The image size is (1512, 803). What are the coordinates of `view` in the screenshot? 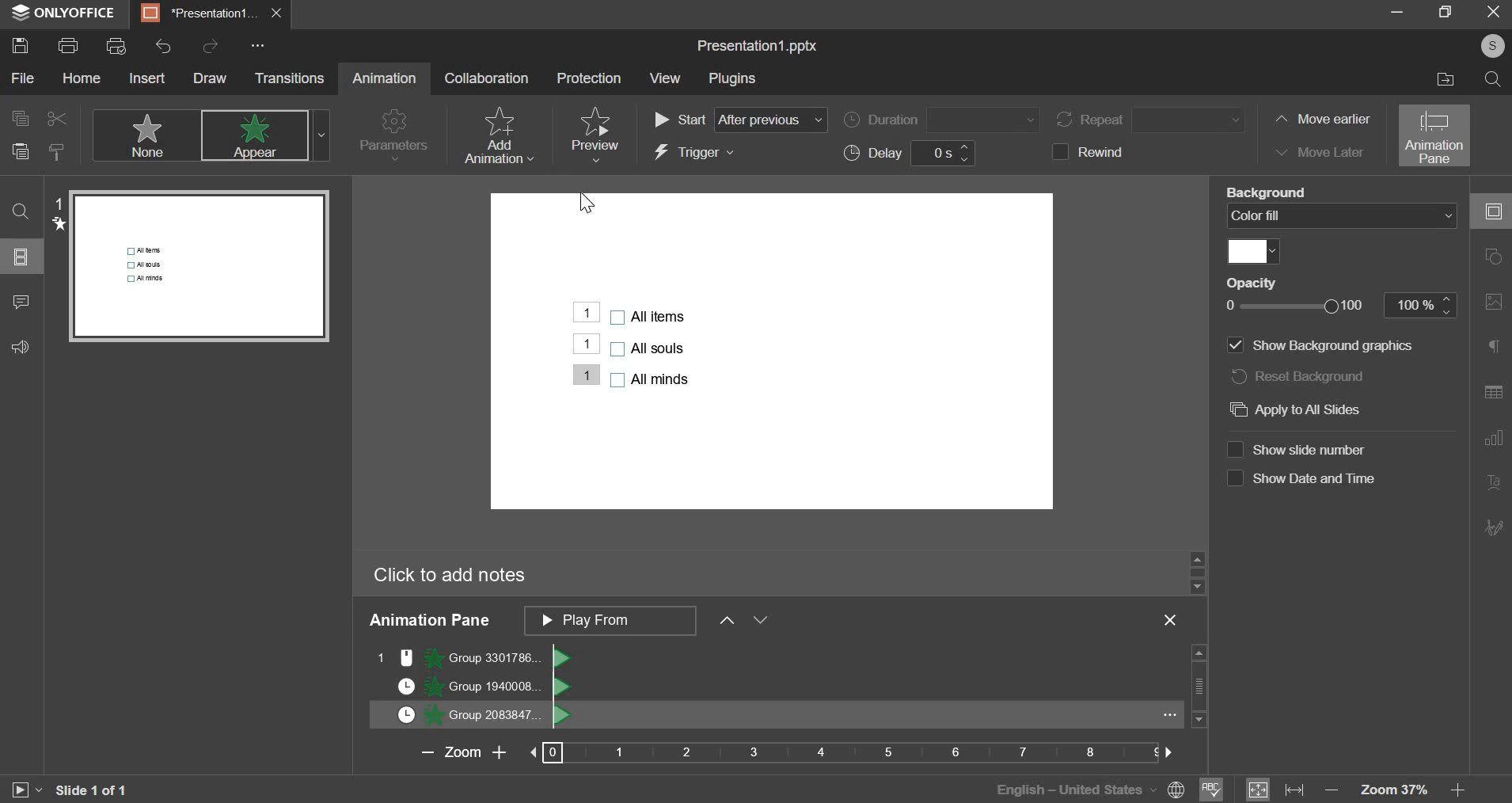 It's located at (666, 78).